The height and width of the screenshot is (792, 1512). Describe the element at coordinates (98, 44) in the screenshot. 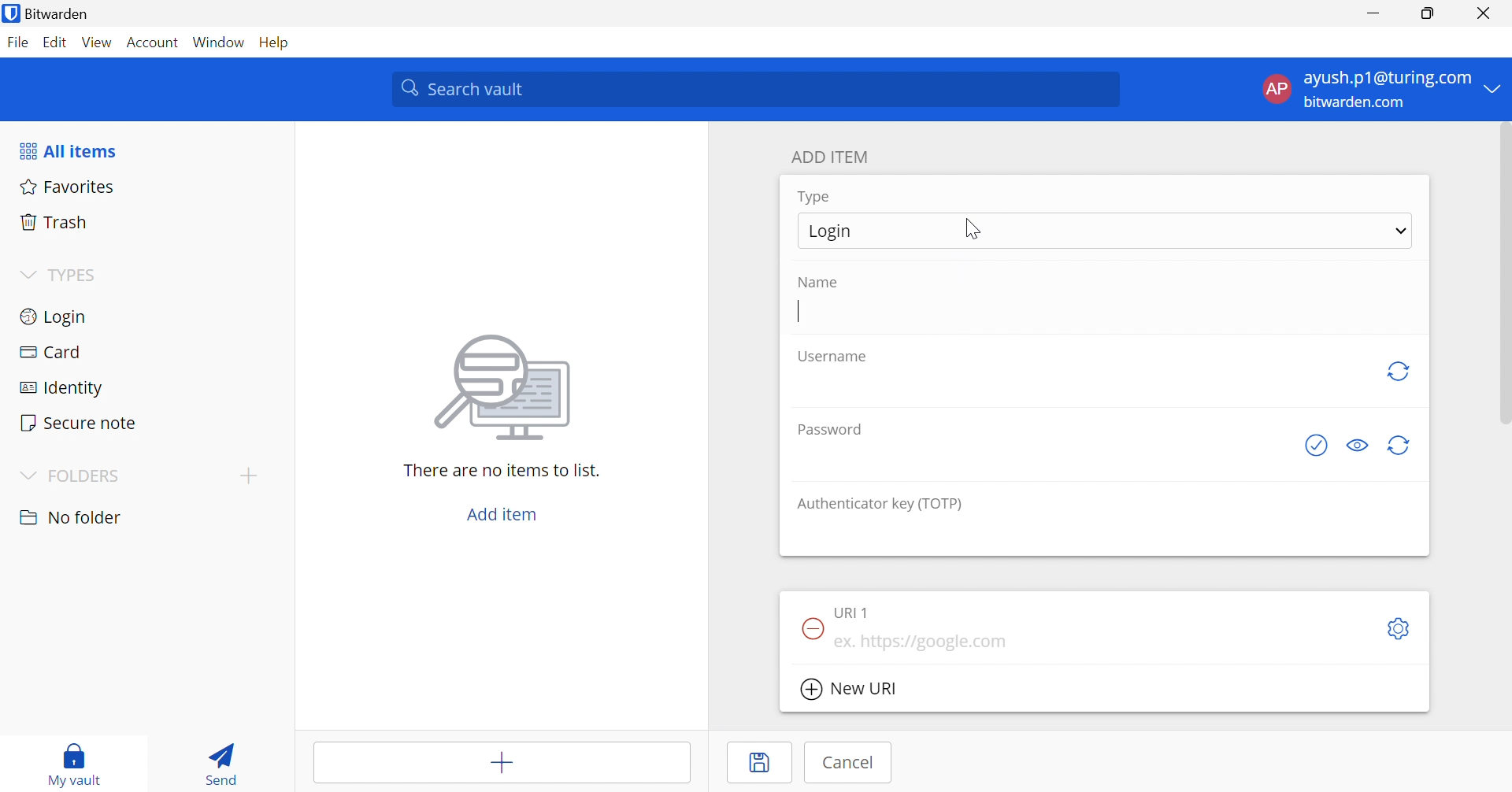

I see `View` at that location.